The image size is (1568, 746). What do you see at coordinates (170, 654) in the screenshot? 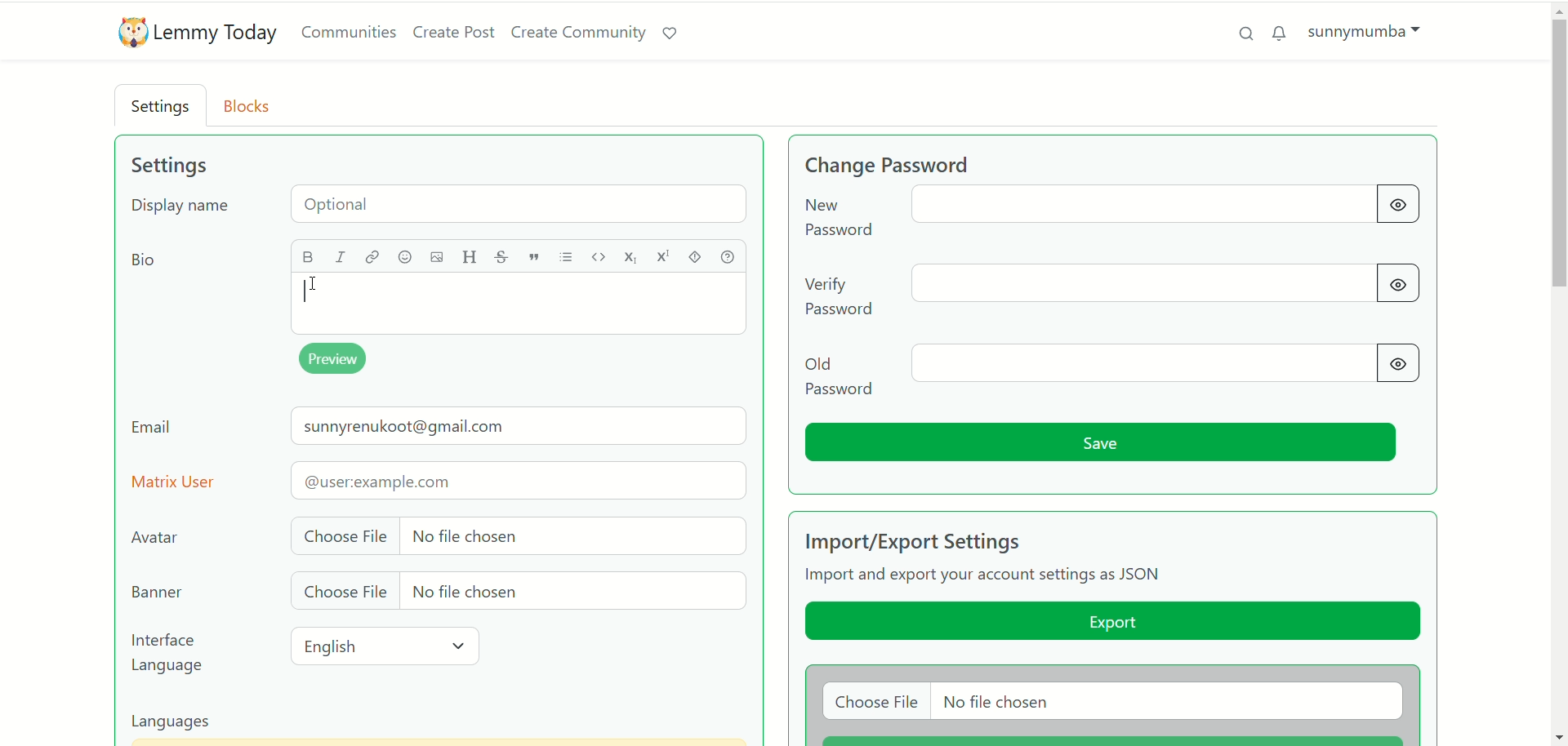
I see `interface language` at bounding box center [170, 654].